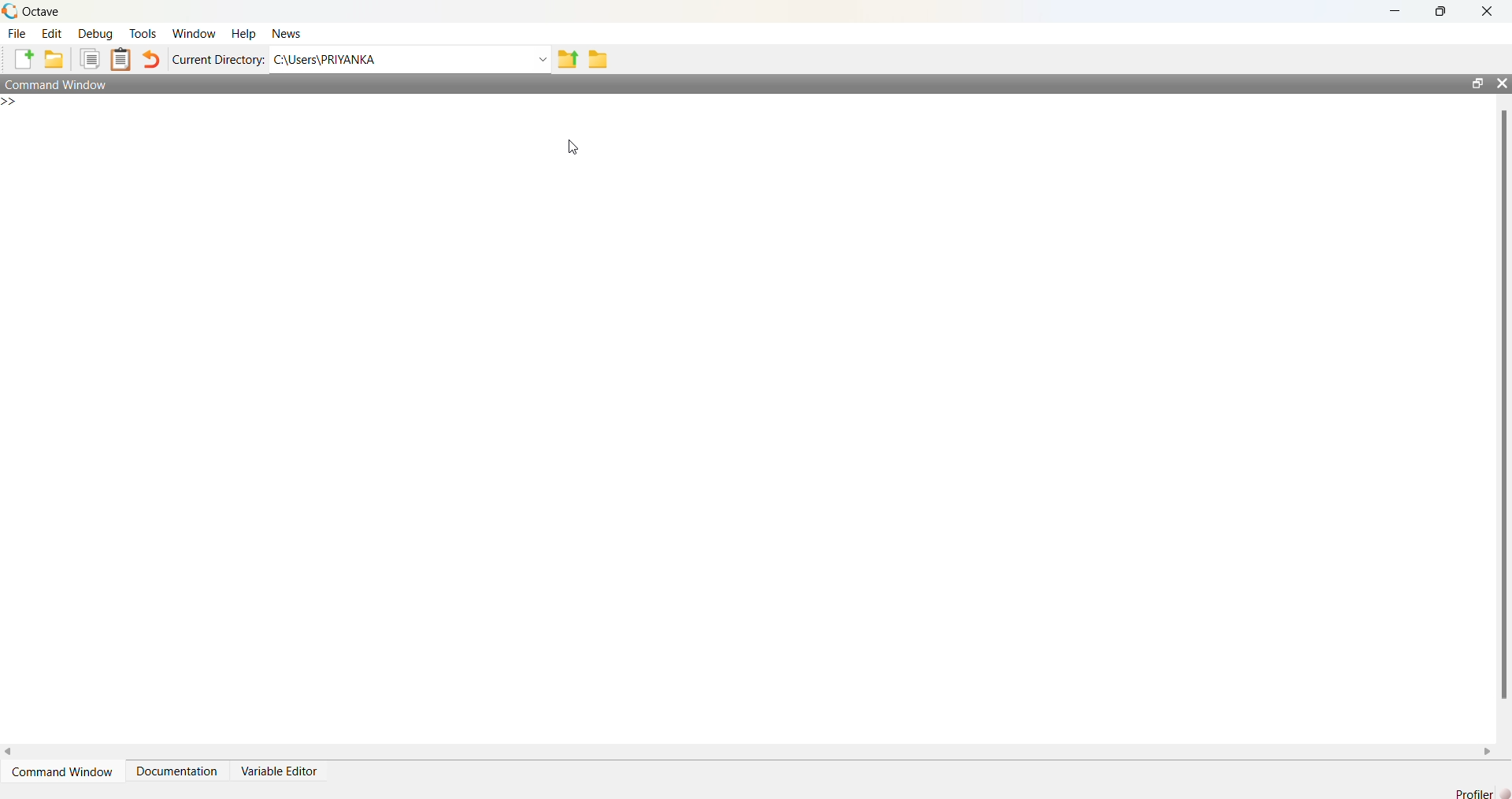 Image resolution: width=1512 pixels, height=799 pixels. Describe the element at coordinates (542, 59) in the screenshot. I see `Enter directory name` at that location.